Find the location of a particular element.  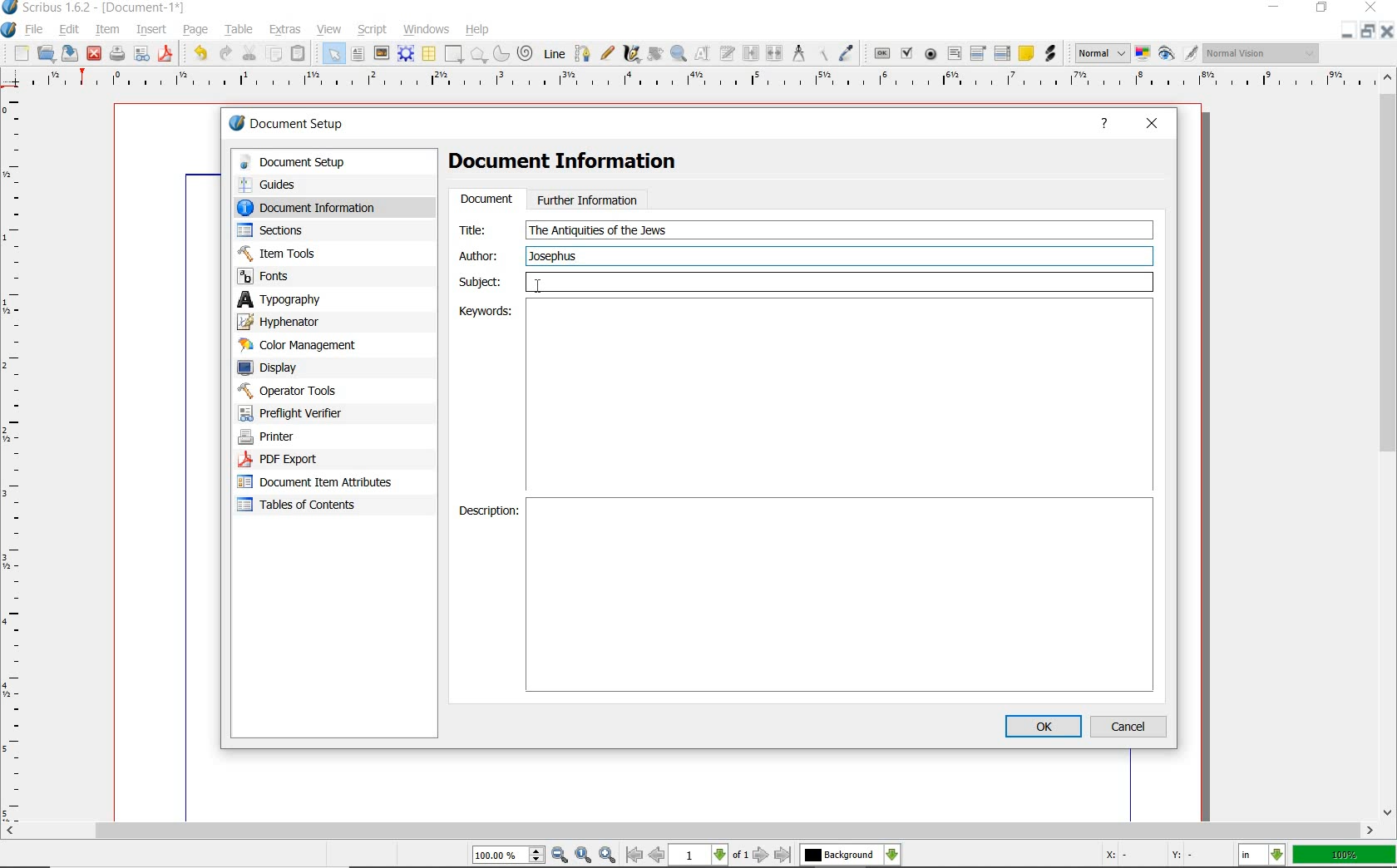

zoom factor is located at coordinates (1343, 856).